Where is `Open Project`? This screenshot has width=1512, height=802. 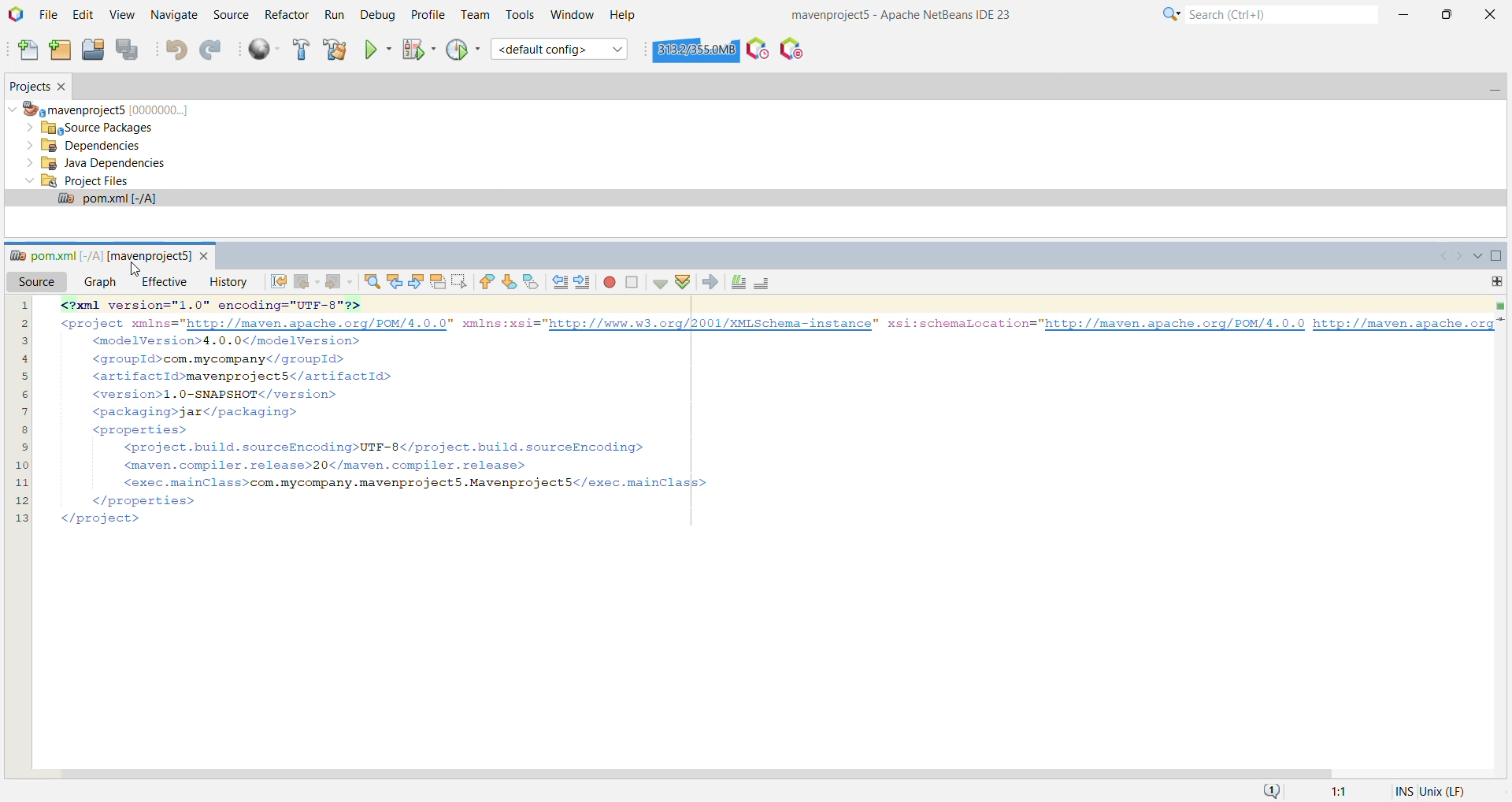 Open Project is located at coordinates (93, 50).